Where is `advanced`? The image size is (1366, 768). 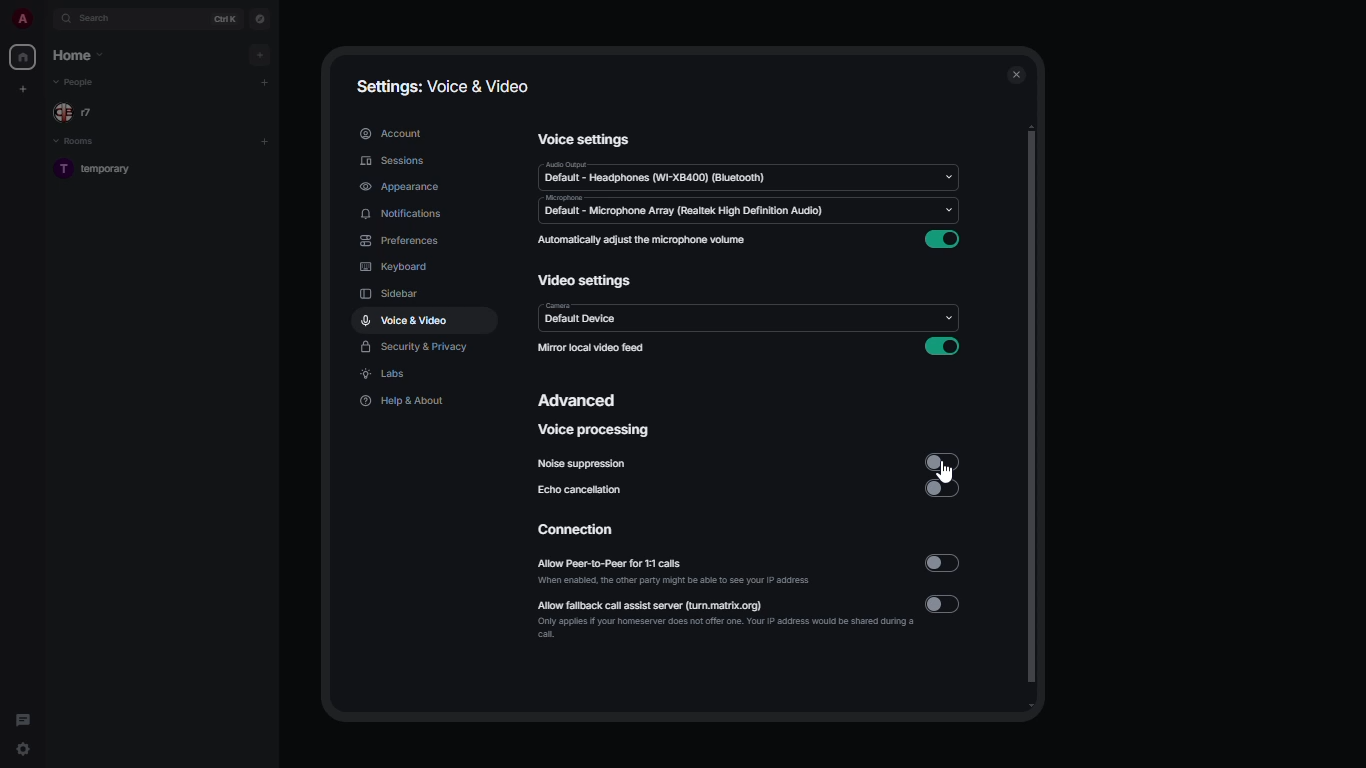
advanced is located at coordinates (580, 400).